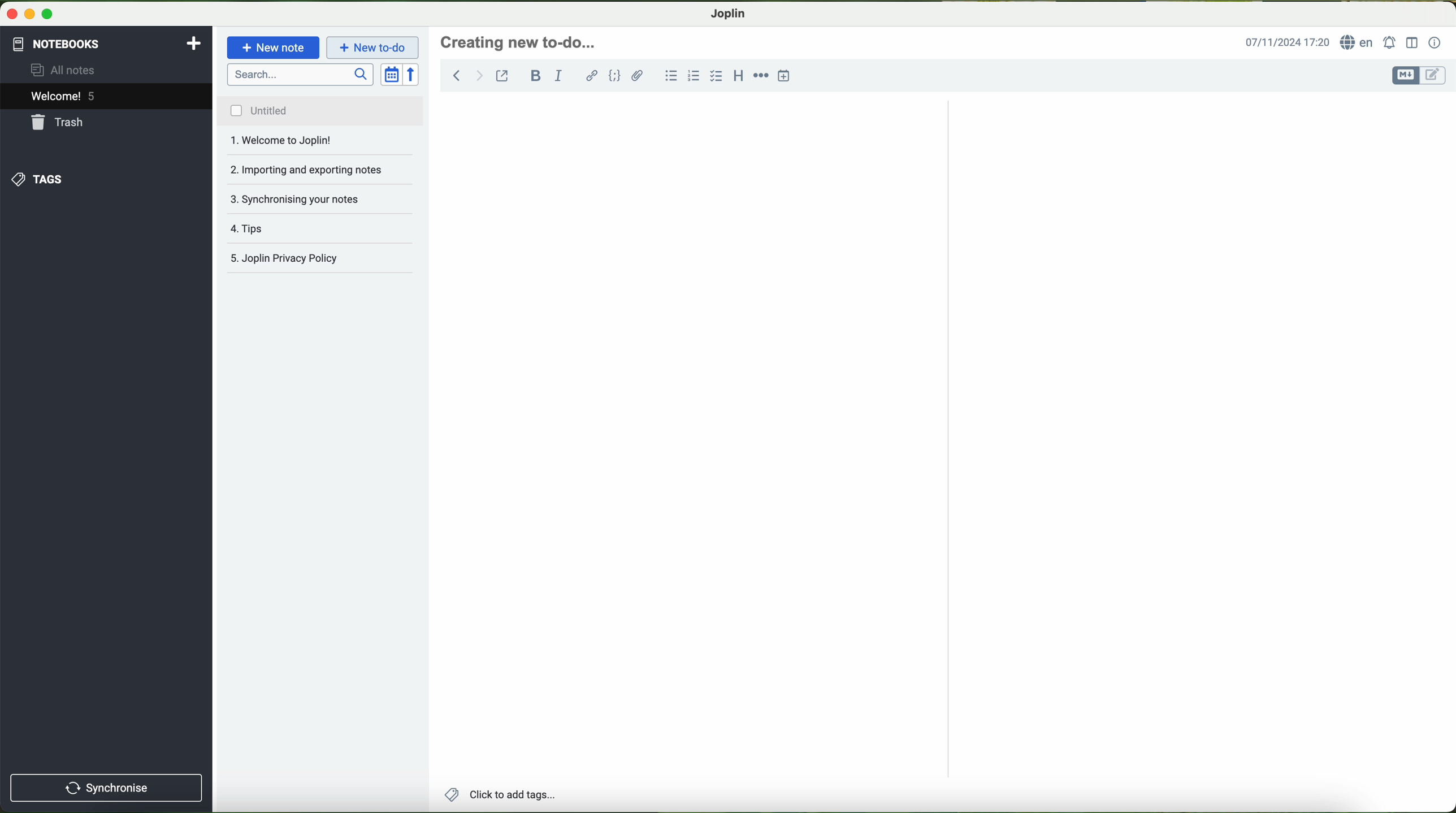  What do you see at coordinates (1412, 42) in the screenshot?
I see `toggle editor layout` at bounding box center [1412, 42].